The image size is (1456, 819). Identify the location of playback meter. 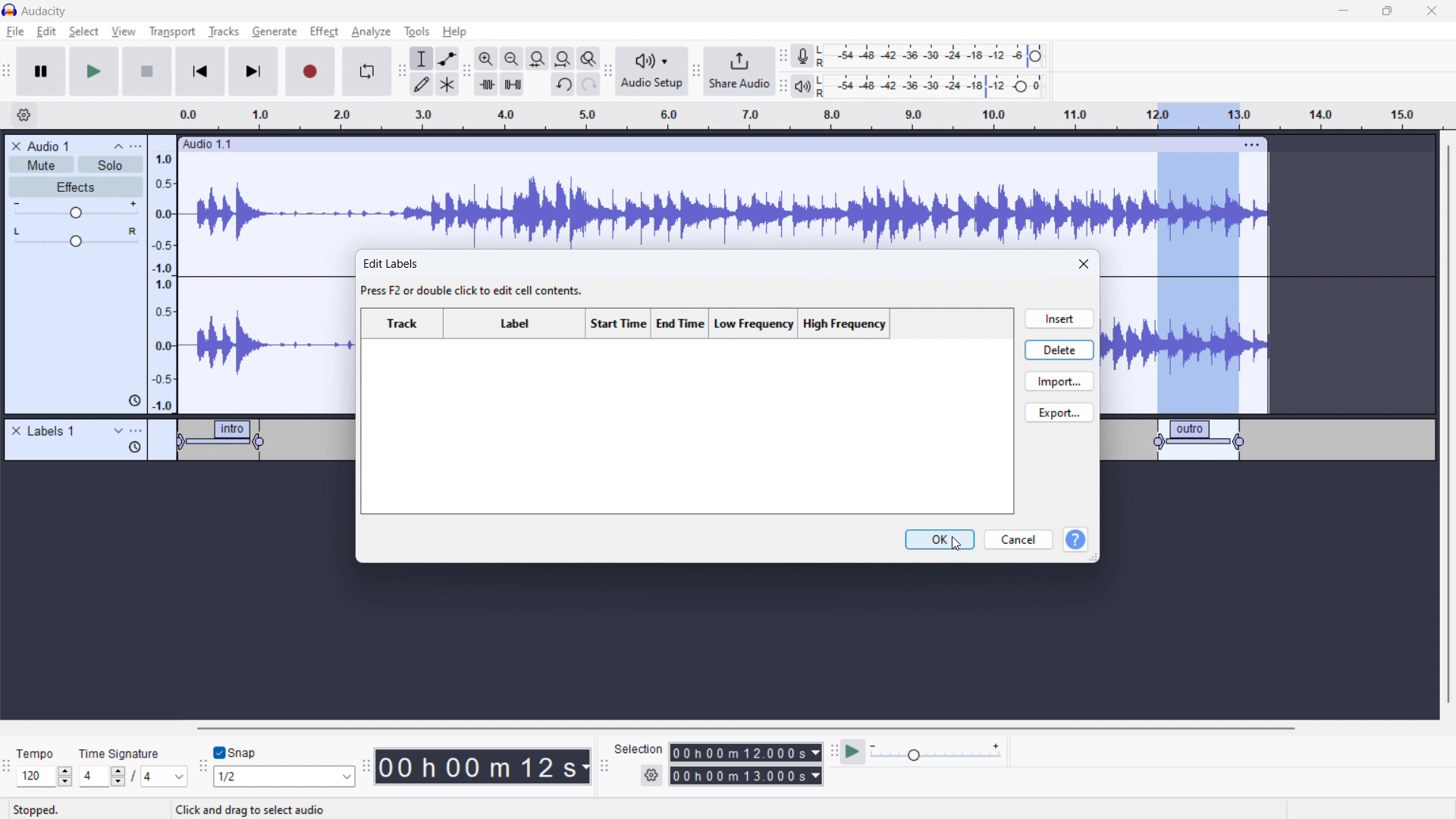
(802, 87).